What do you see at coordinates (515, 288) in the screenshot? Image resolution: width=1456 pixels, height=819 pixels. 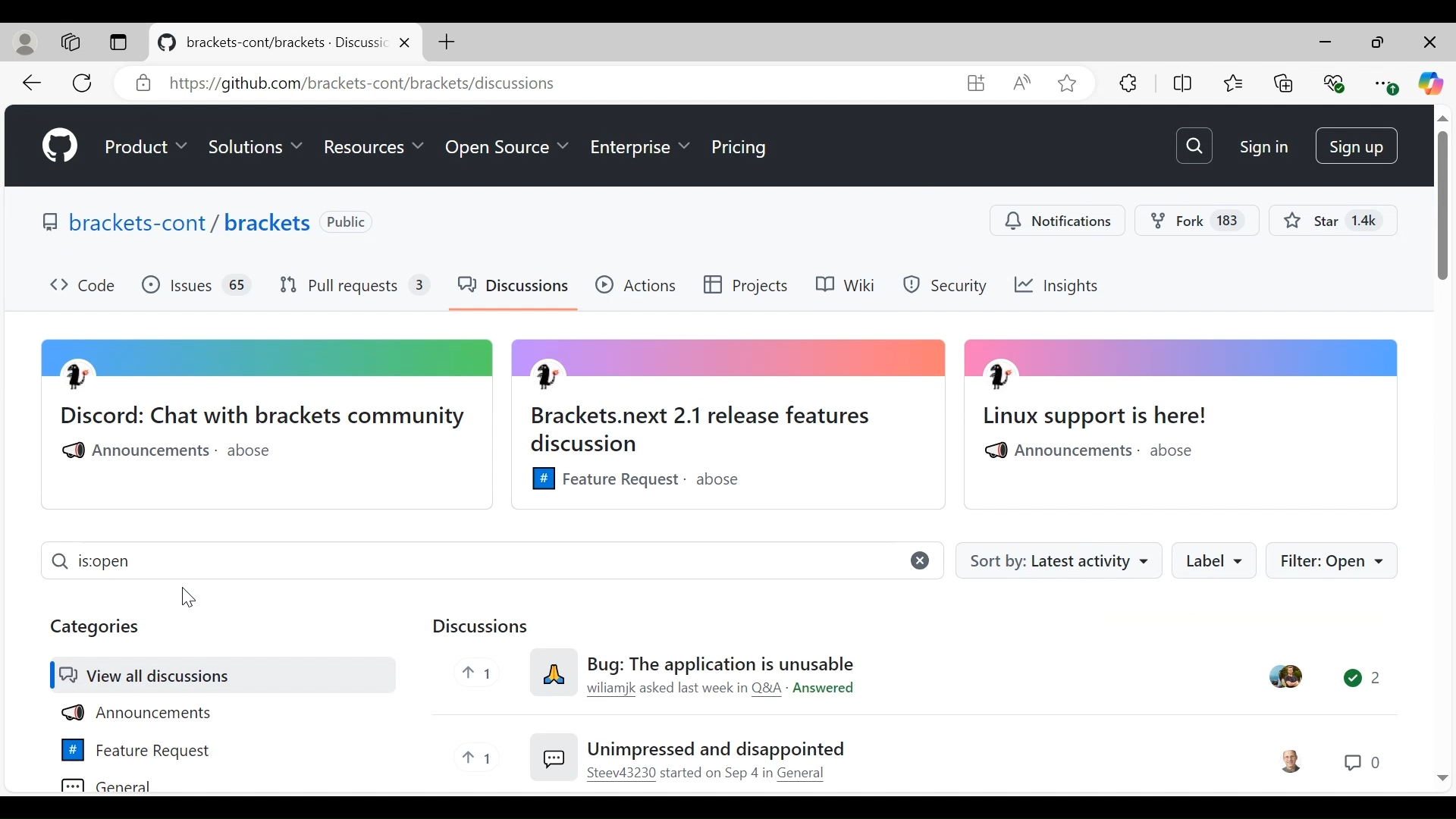 I see `Discussions` at bounding box center [515, 288].